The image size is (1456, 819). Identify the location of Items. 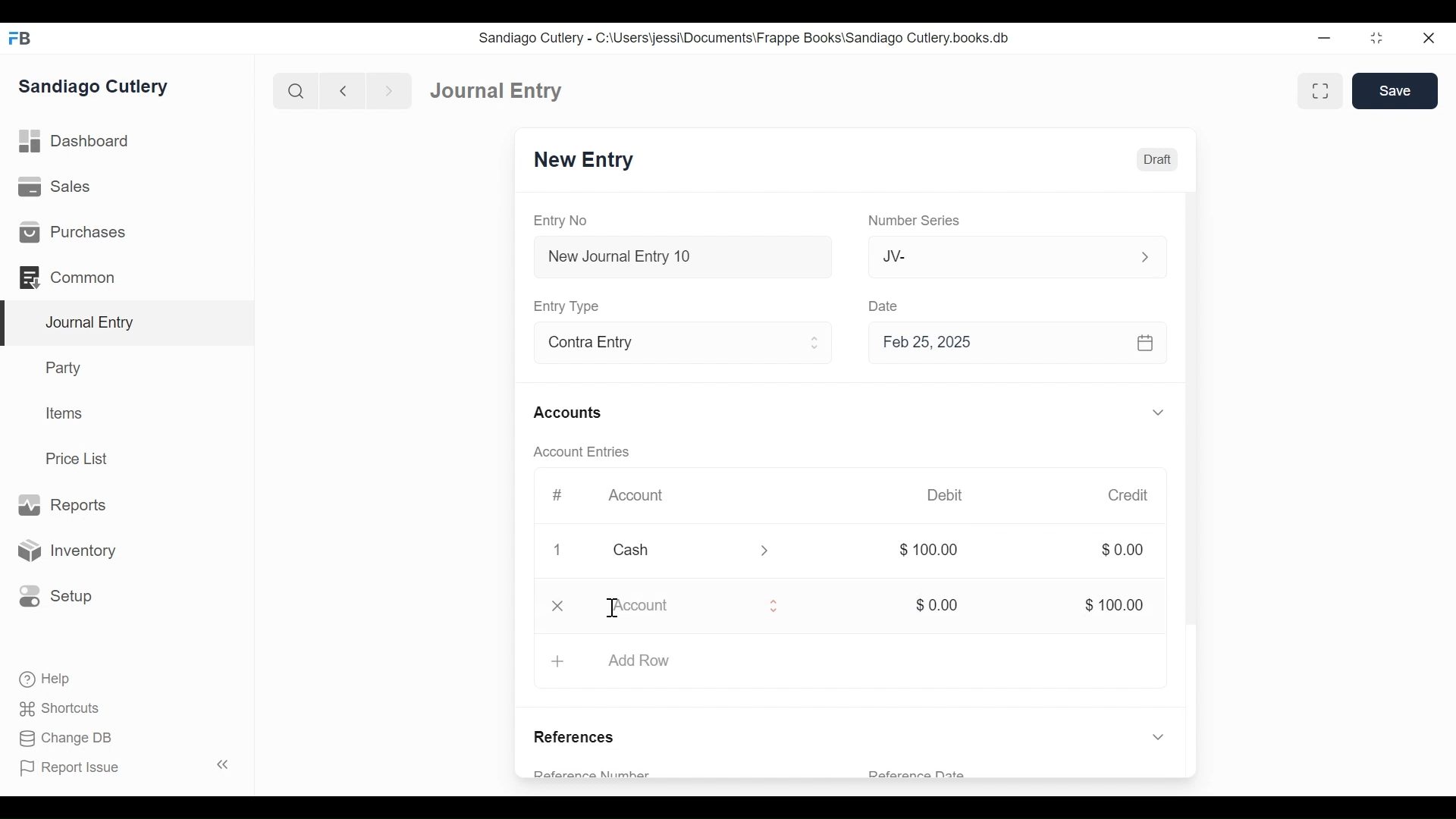
(66, 415).